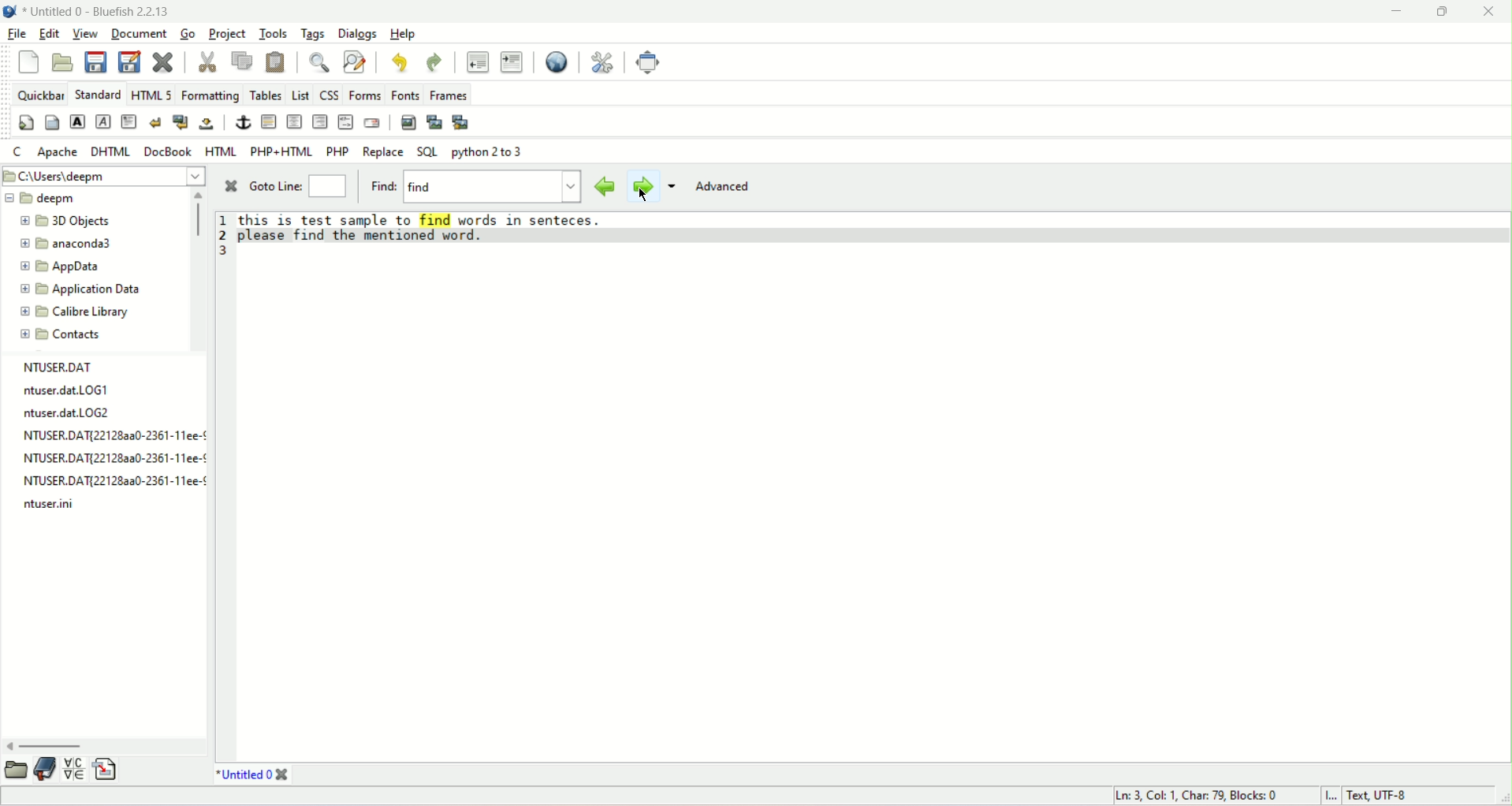  I want to click on documentation, so click(44, 769).